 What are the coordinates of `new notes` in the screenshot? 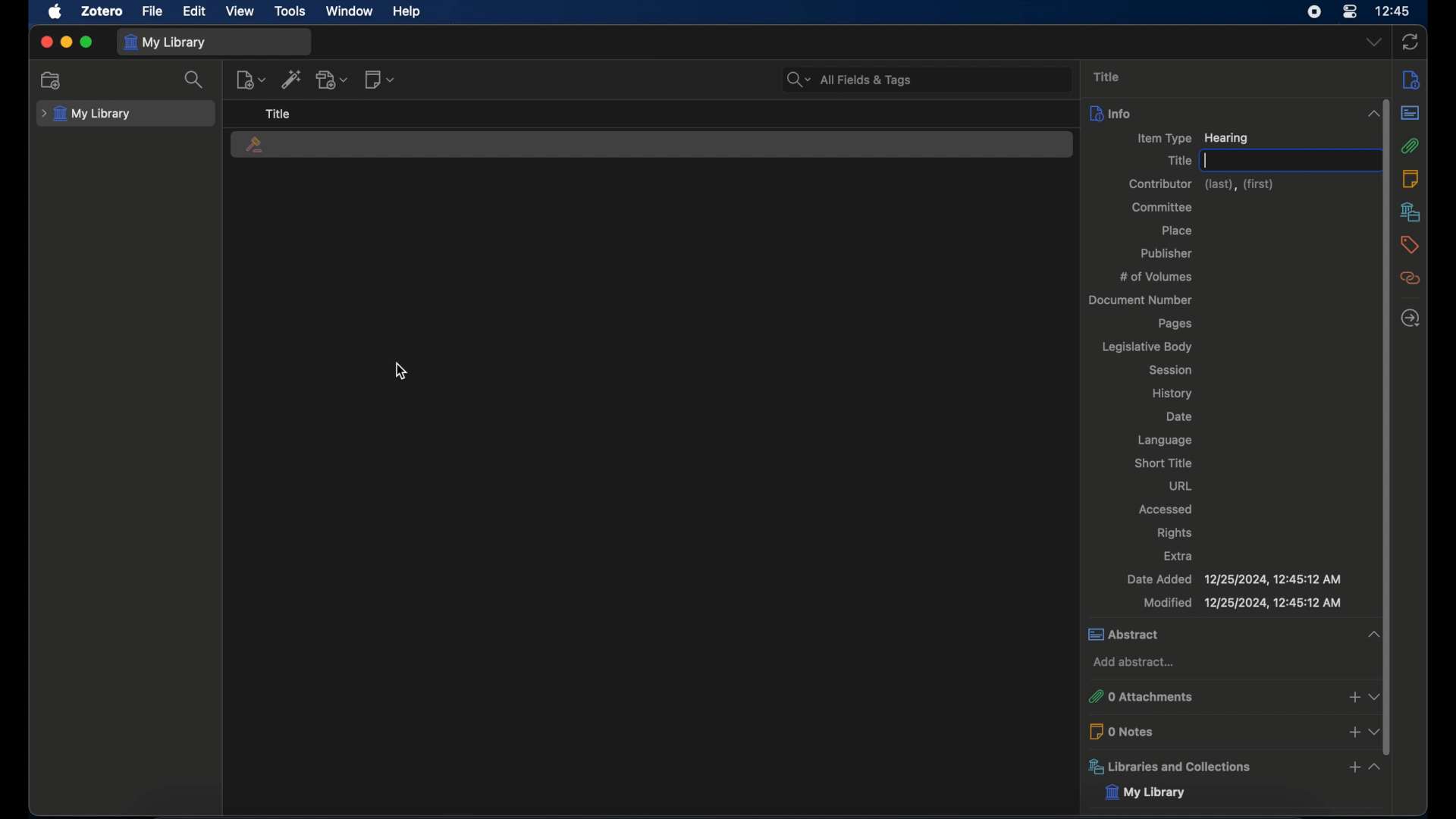 It's located at (381, 79).